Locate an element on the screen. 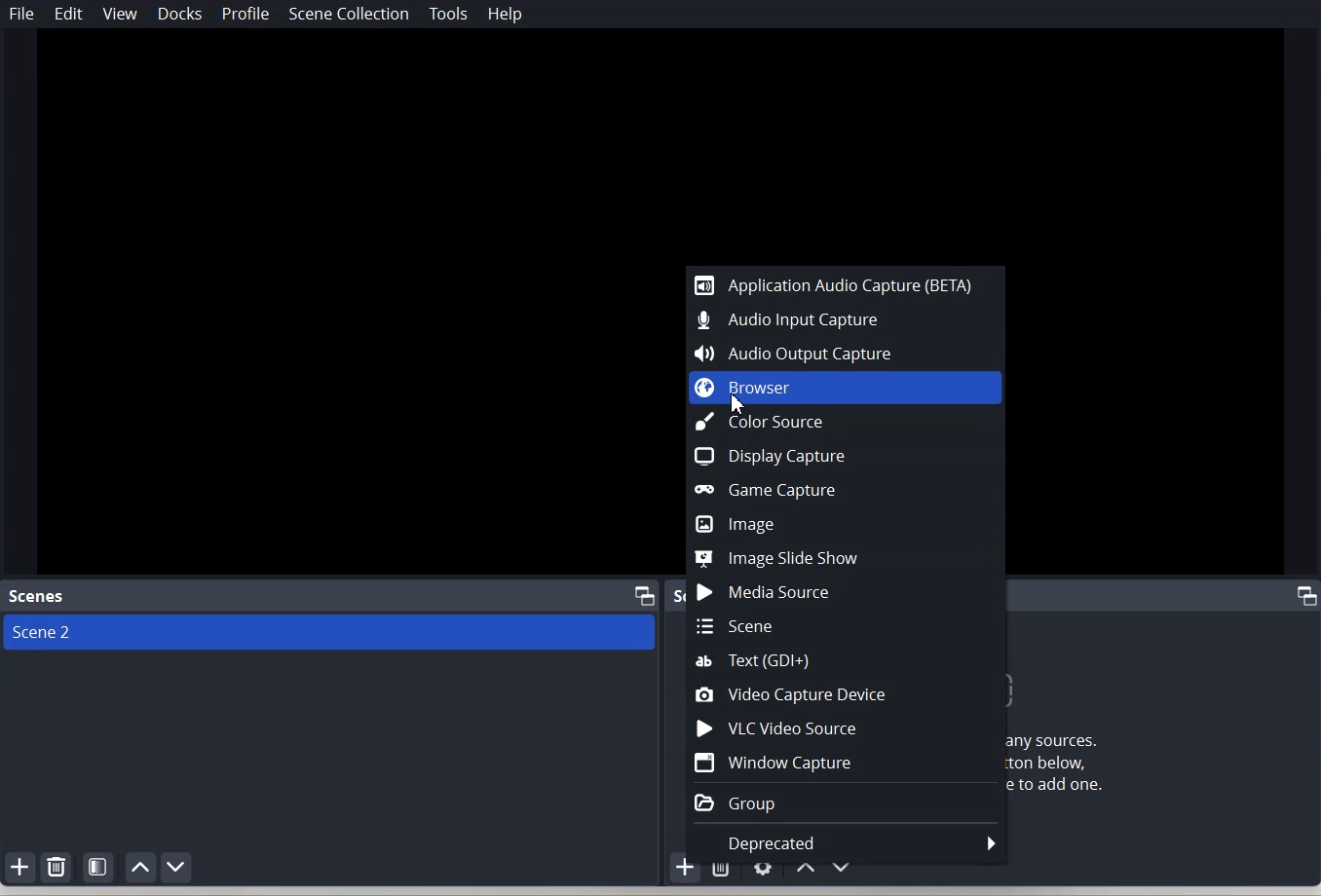 The image size is (1321, 896). Maximize is located at coordinates (646, 595).